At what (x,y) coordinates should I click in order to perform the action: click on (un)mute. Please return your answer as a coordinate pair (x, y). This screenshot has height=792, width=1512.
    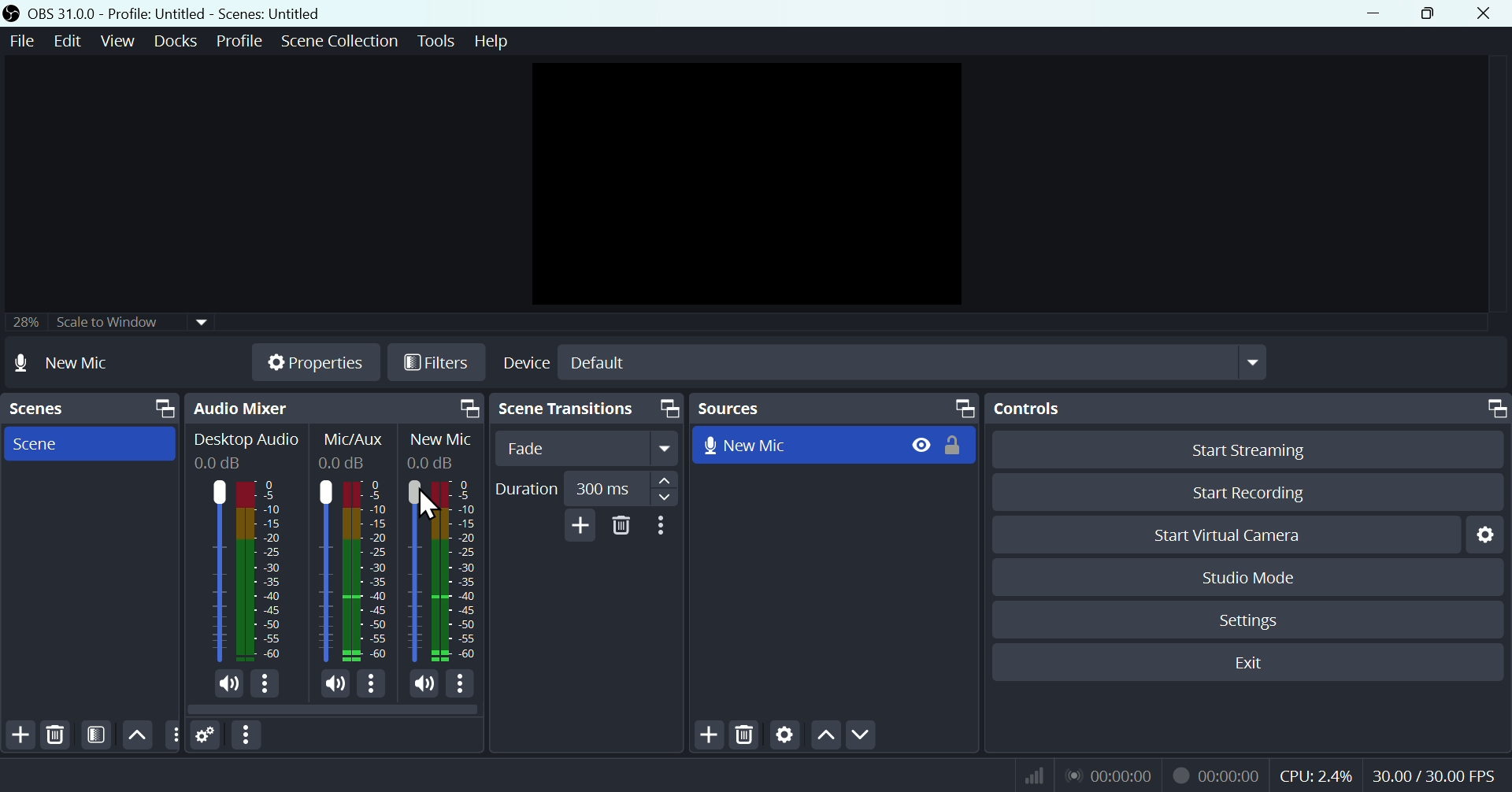
    Looking at the image, I should click on (422, 684).